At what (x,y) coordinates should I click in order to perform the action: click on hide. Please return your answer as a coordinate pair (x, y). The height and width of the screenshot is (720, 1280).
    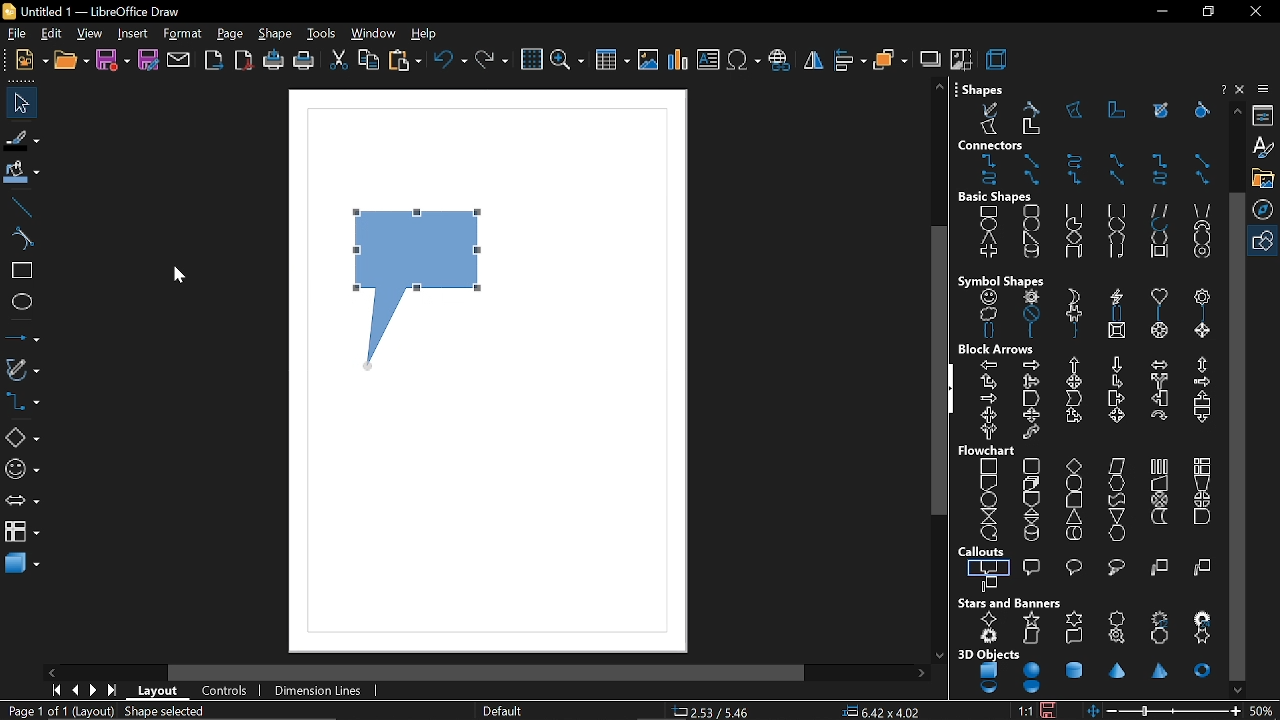
    Looking at the image, I should click on (951, 390).